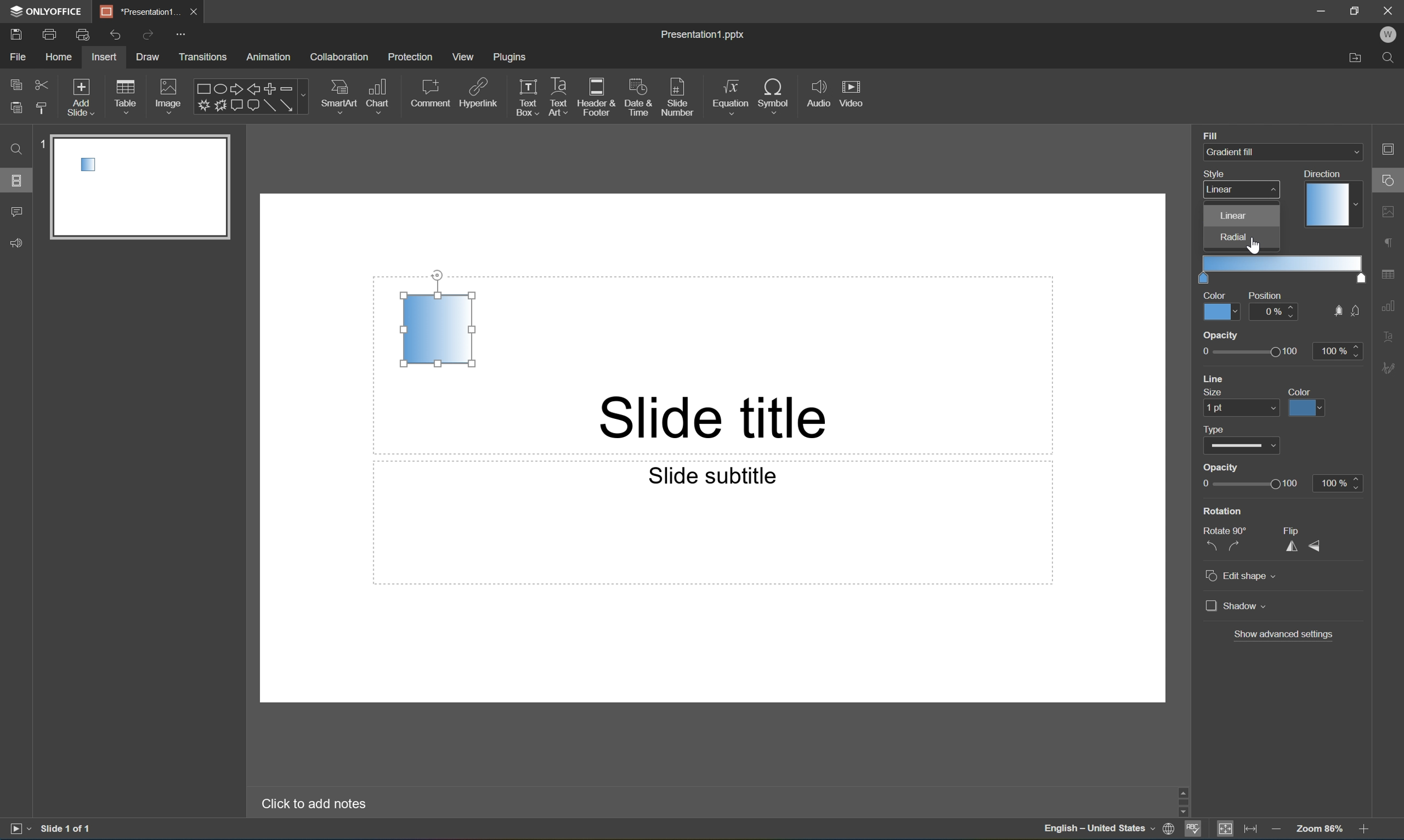 The width and height of the screenshot is (1404, 840). I want to click on Arrow, so click(287, 105).